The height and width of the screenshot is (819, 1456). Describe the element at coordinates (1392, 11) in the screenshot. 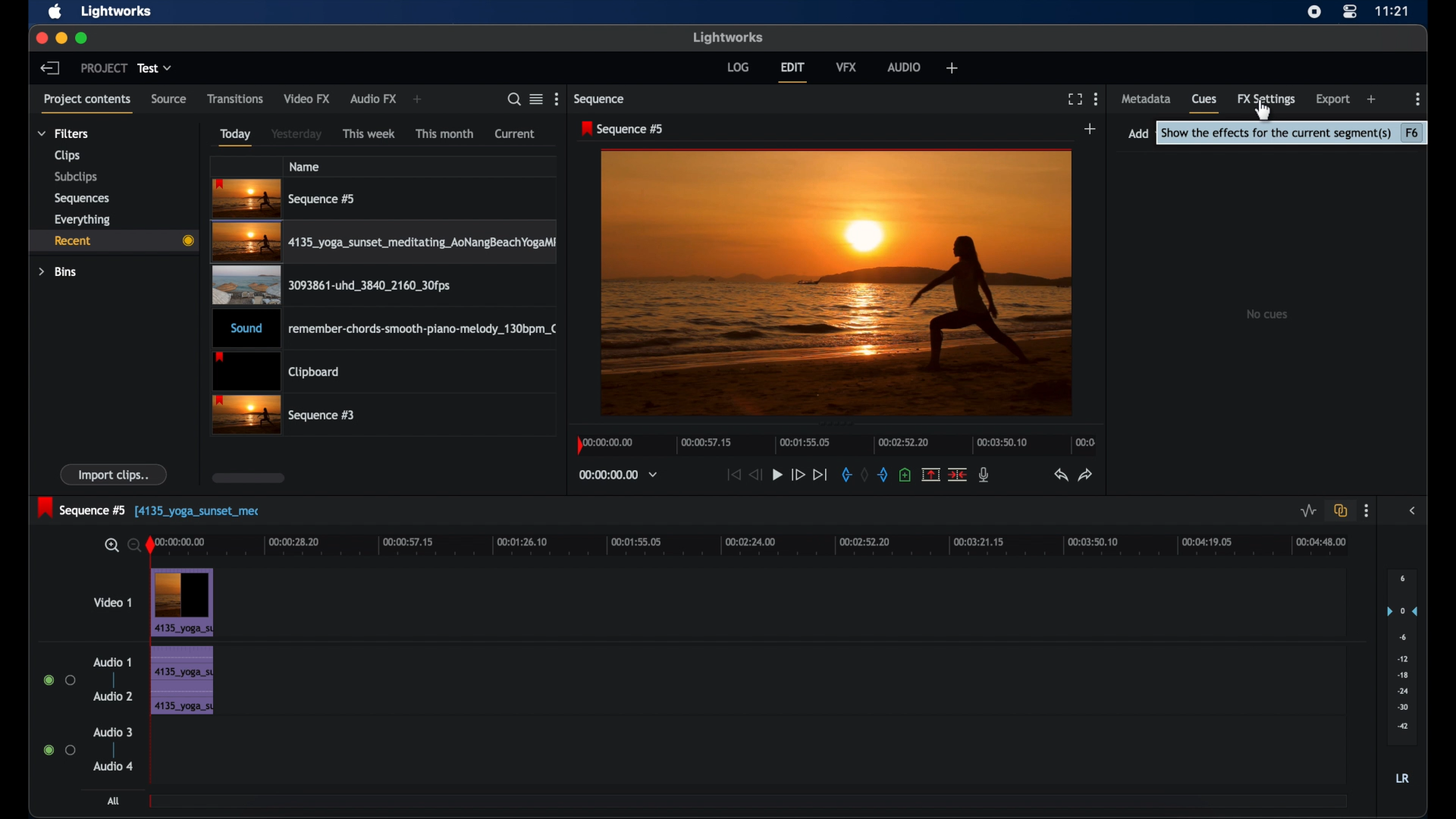

I see `time` at that location.